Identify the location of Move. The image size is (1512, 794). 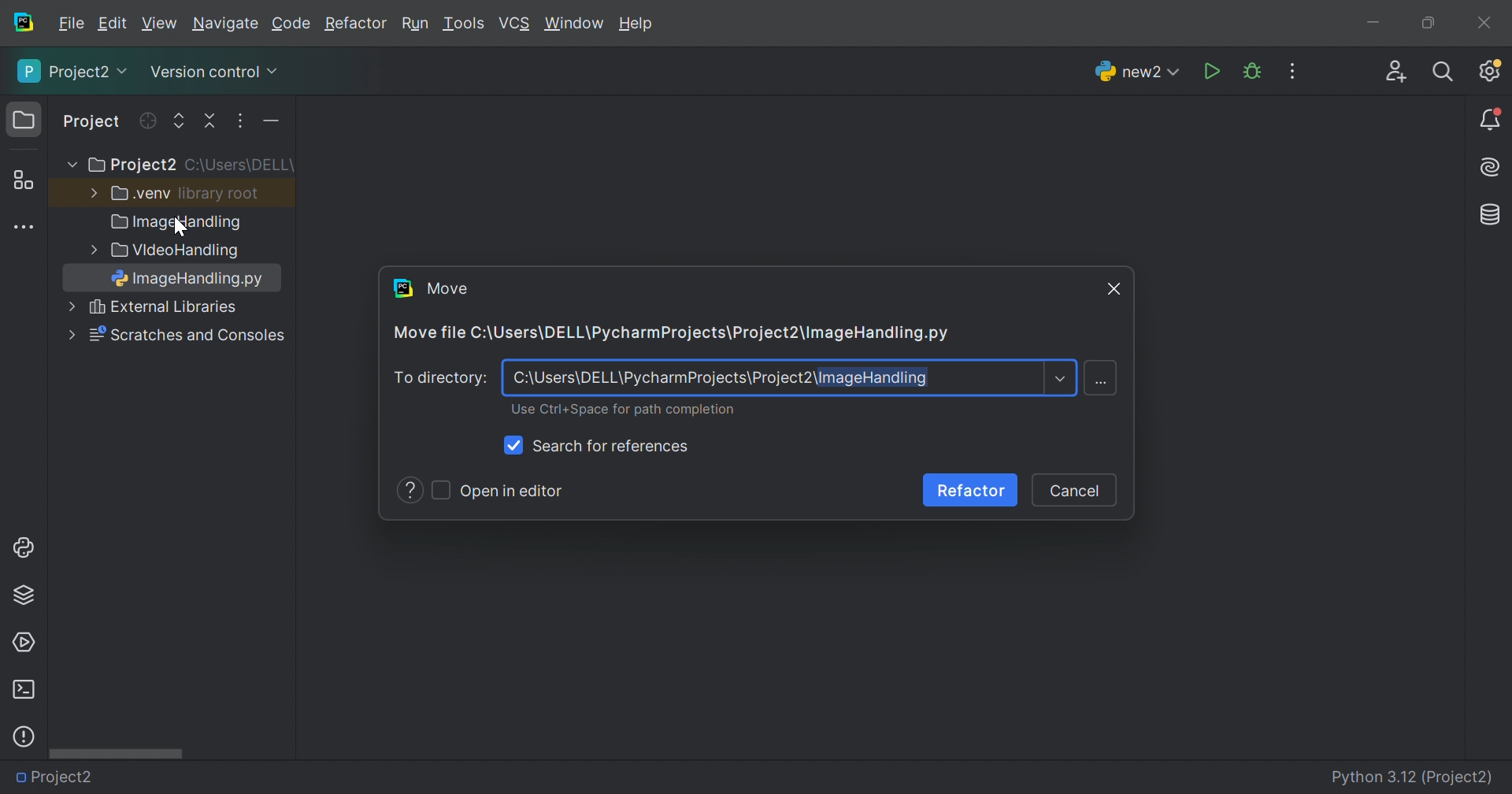
(448, 288).